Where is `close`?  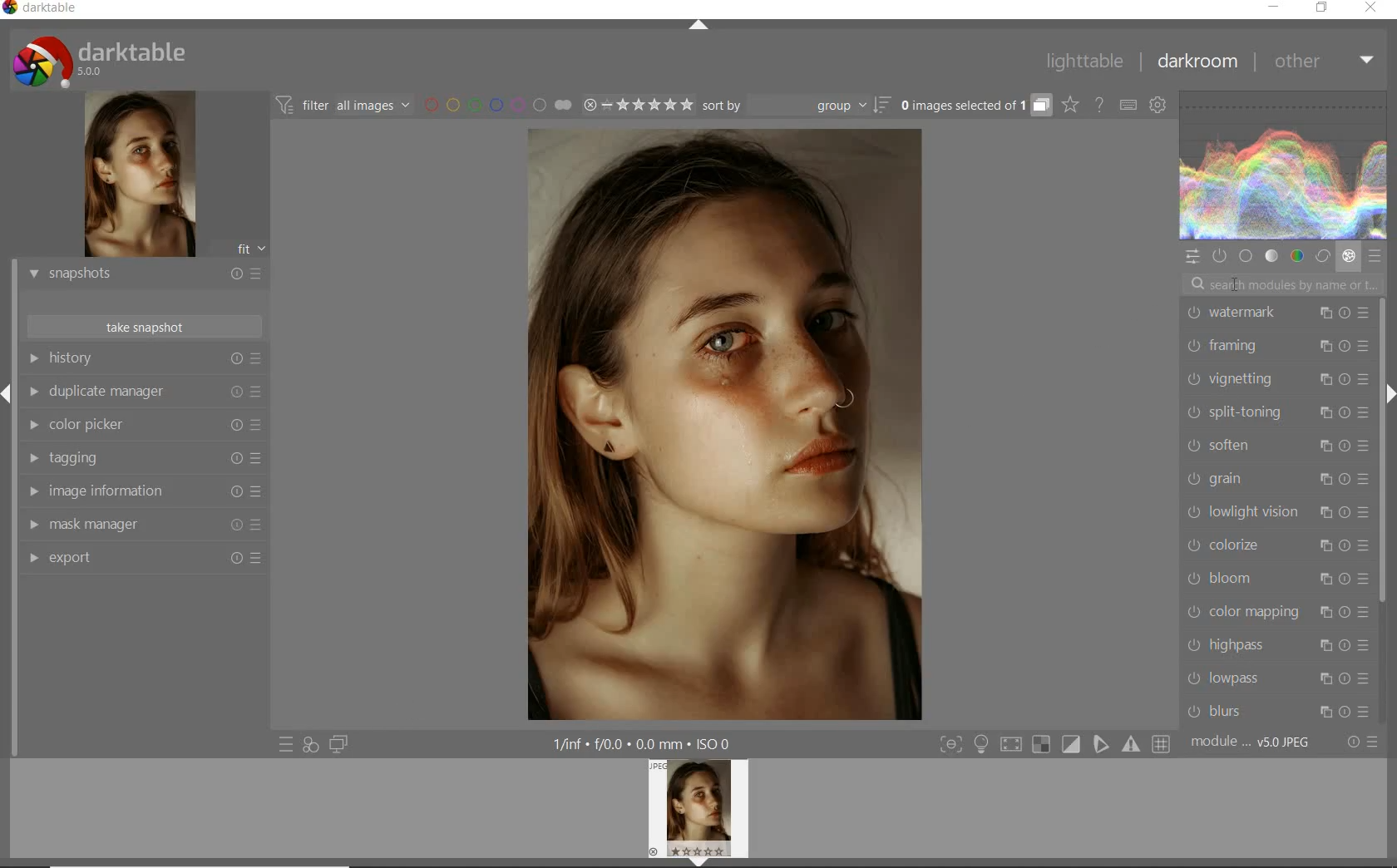
close is located at coordinates (1372, 9).